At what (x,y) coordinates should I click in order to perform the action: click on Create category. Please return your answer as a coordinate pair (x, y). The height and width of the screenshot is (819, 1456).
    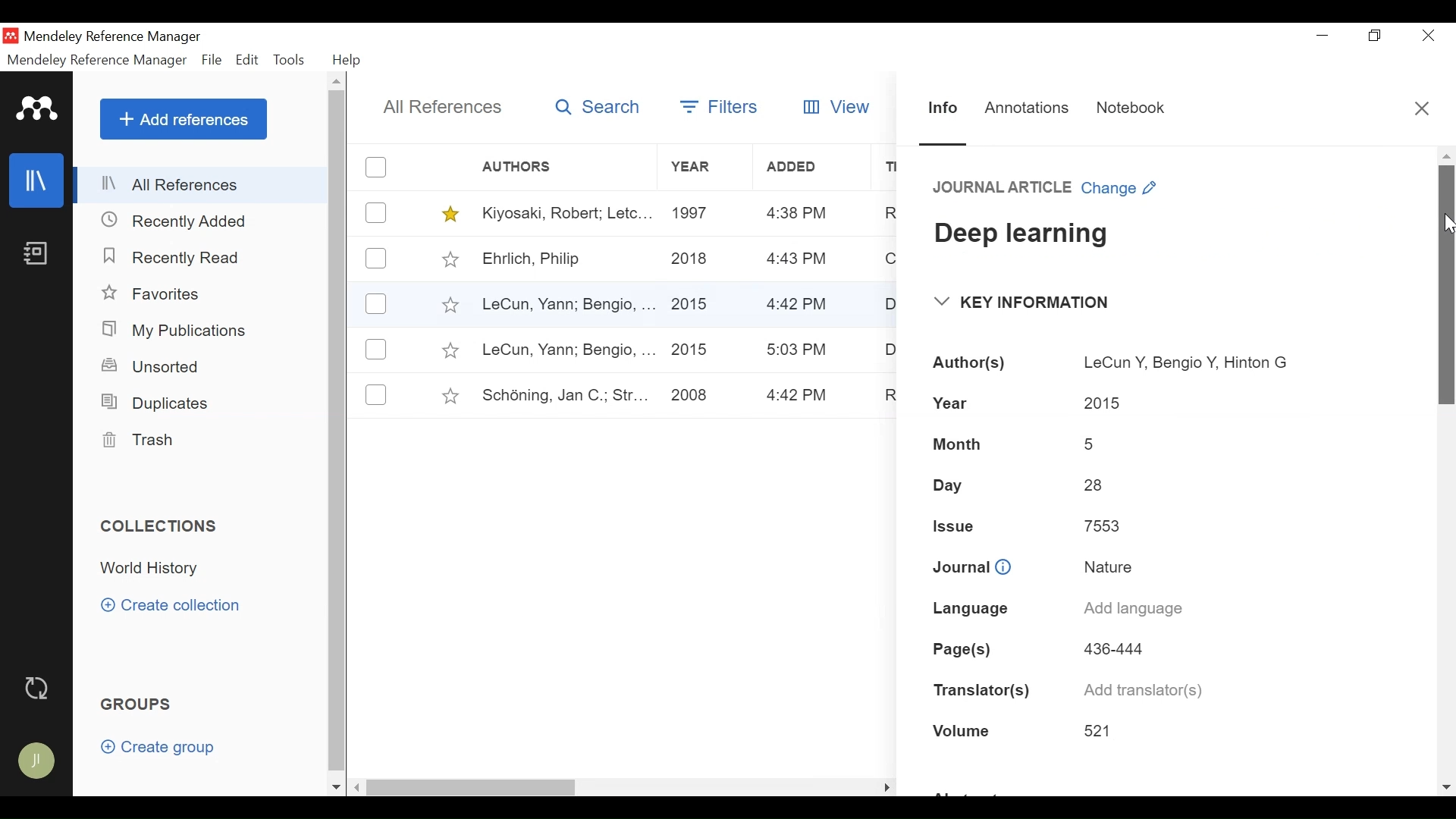
    Looking at the image, I should click on (172, 604).